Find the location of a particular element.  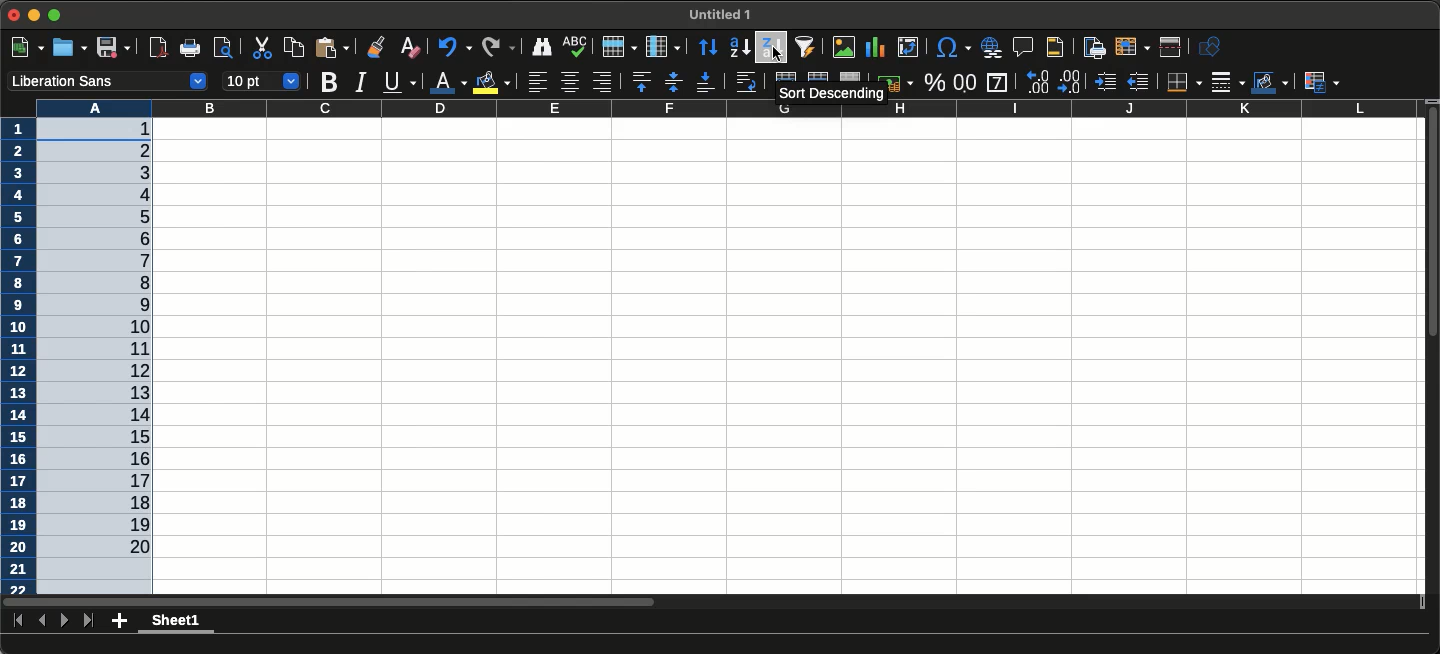

Sort ascending is located at coordinates (737, 48).